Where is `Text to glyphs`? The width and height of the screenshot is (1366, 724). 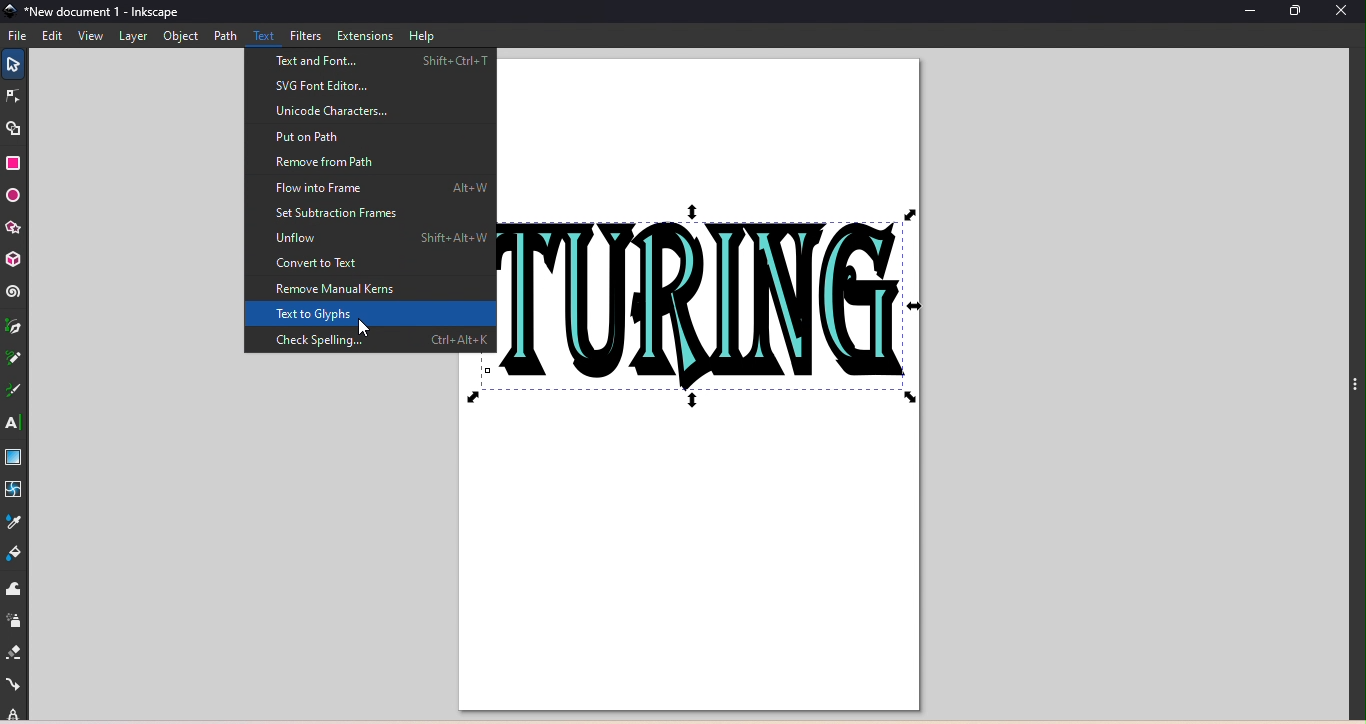
Text to glyphs is located at coordinates (372, 317).